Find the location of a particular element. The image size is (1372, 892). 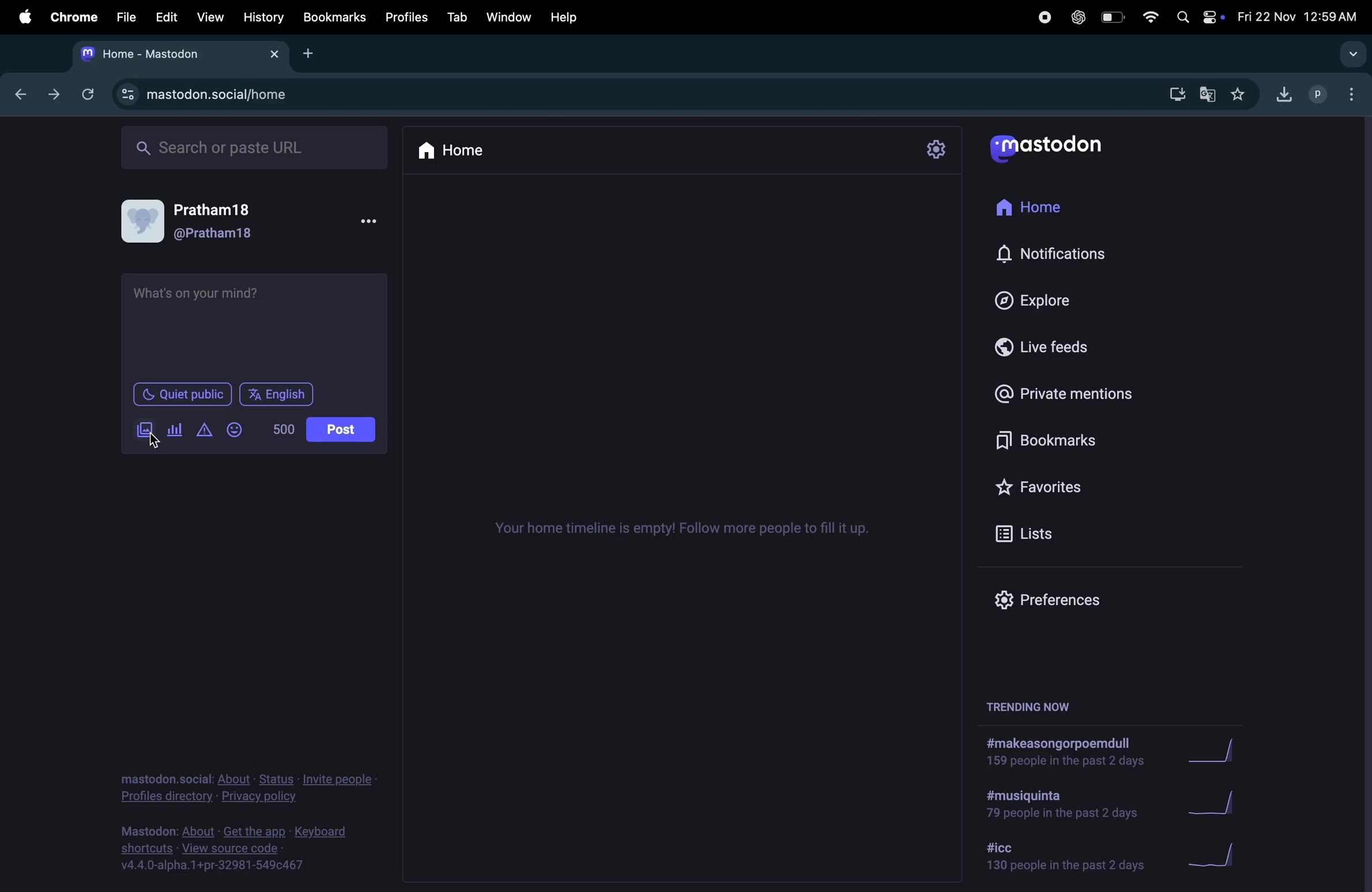

view site information is located at coordinates (127, 94).